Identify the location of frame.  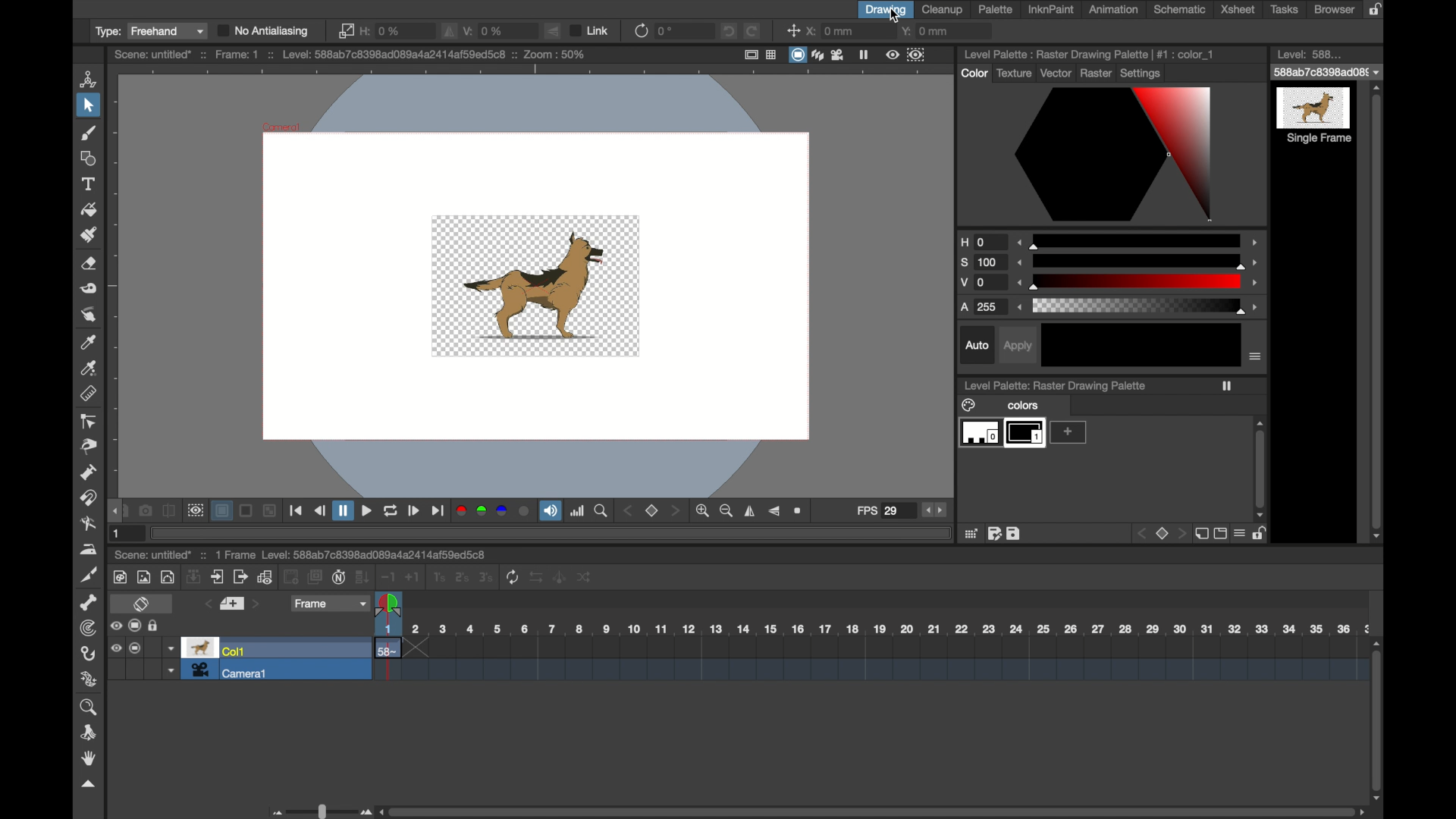
(331, 605).